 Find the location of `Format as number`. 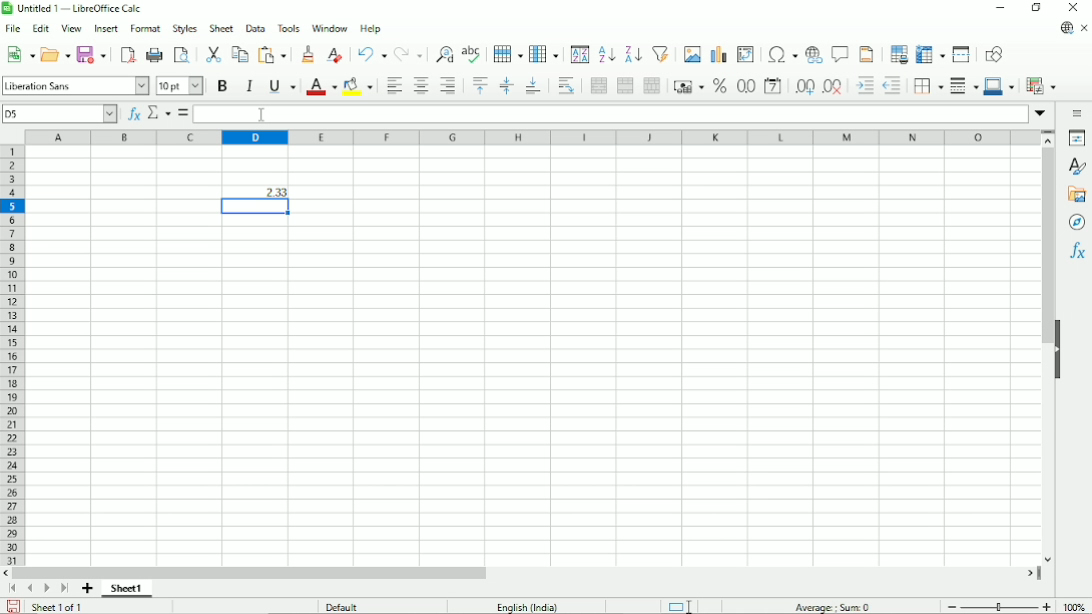

Format as number is located at coordinates (746, 86).